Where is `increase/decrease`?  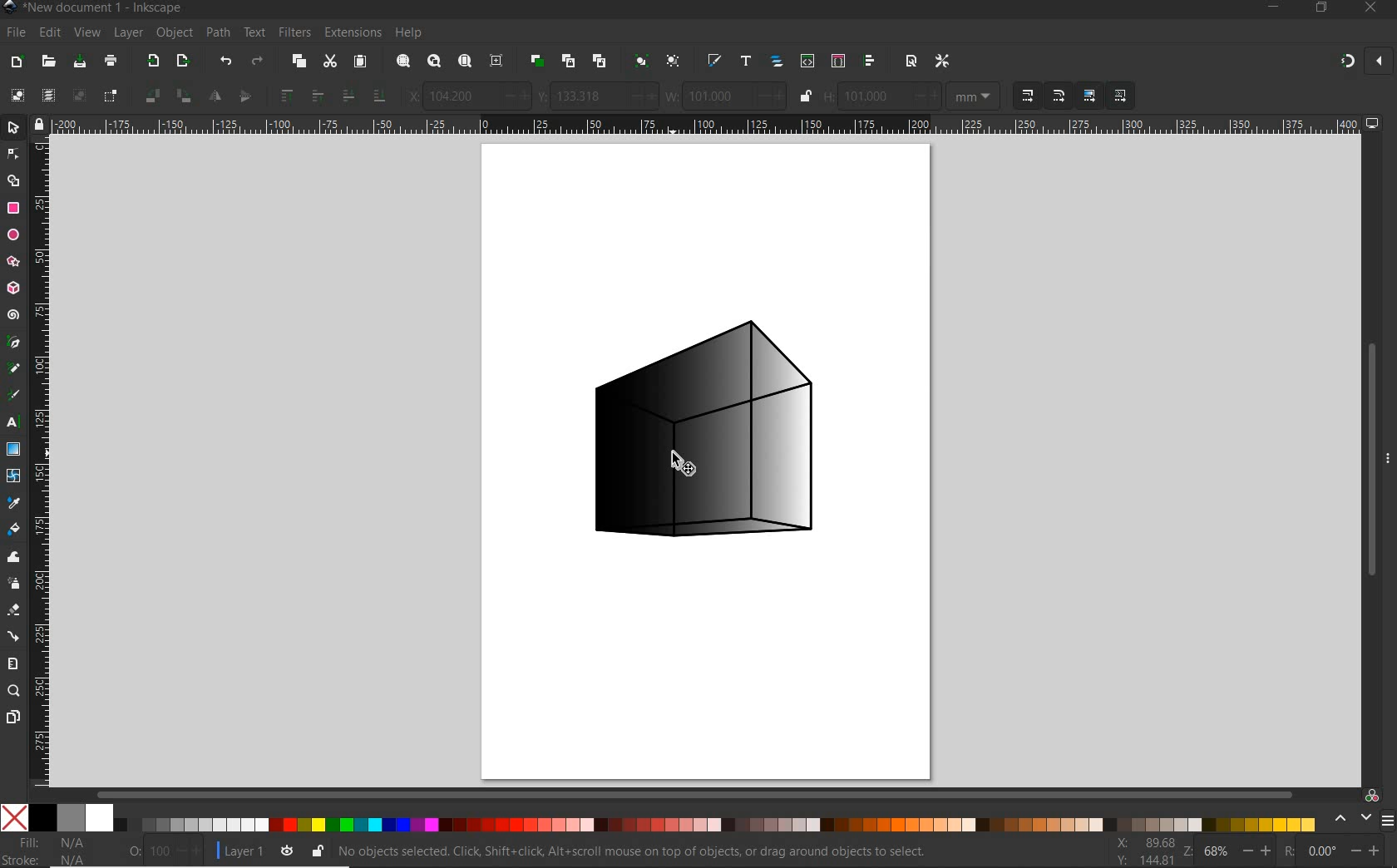 increase/decrease is located at coordinates (924, 95).